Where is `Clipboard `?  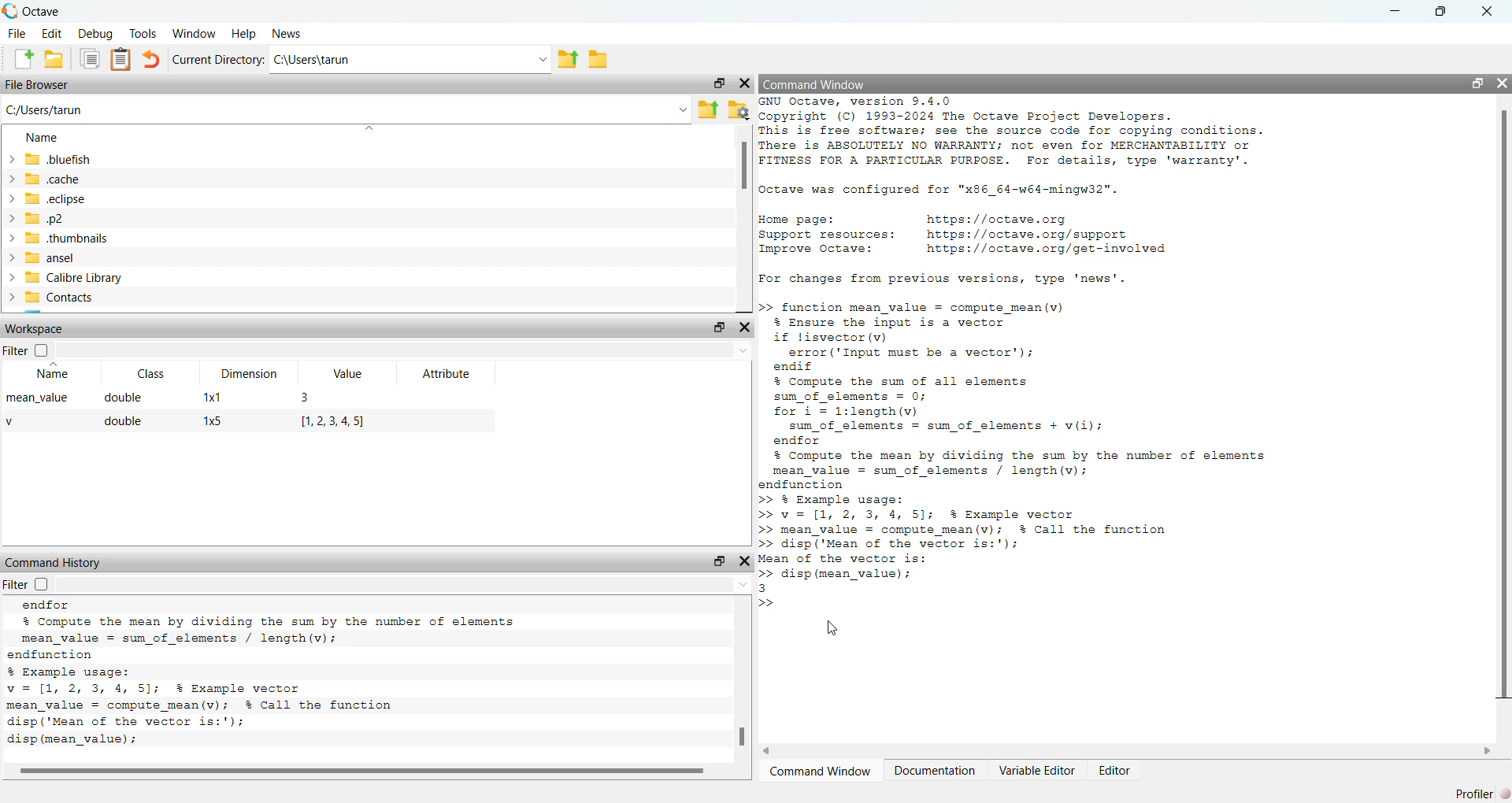 Clipboard  is located at coordinates (121, 60).